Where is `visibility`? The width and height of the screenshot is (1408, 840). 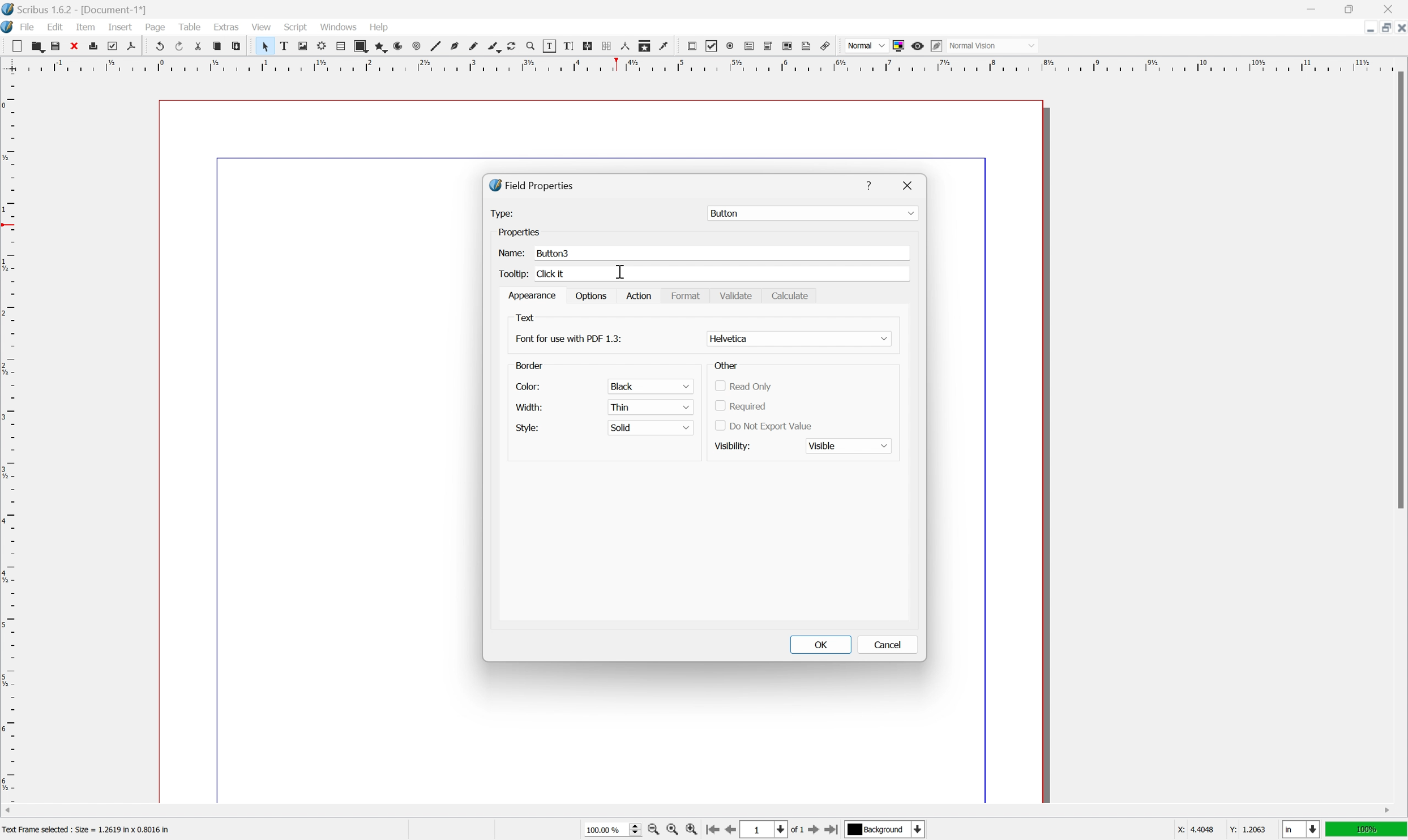 visibility is located at coordinates (736, 444).